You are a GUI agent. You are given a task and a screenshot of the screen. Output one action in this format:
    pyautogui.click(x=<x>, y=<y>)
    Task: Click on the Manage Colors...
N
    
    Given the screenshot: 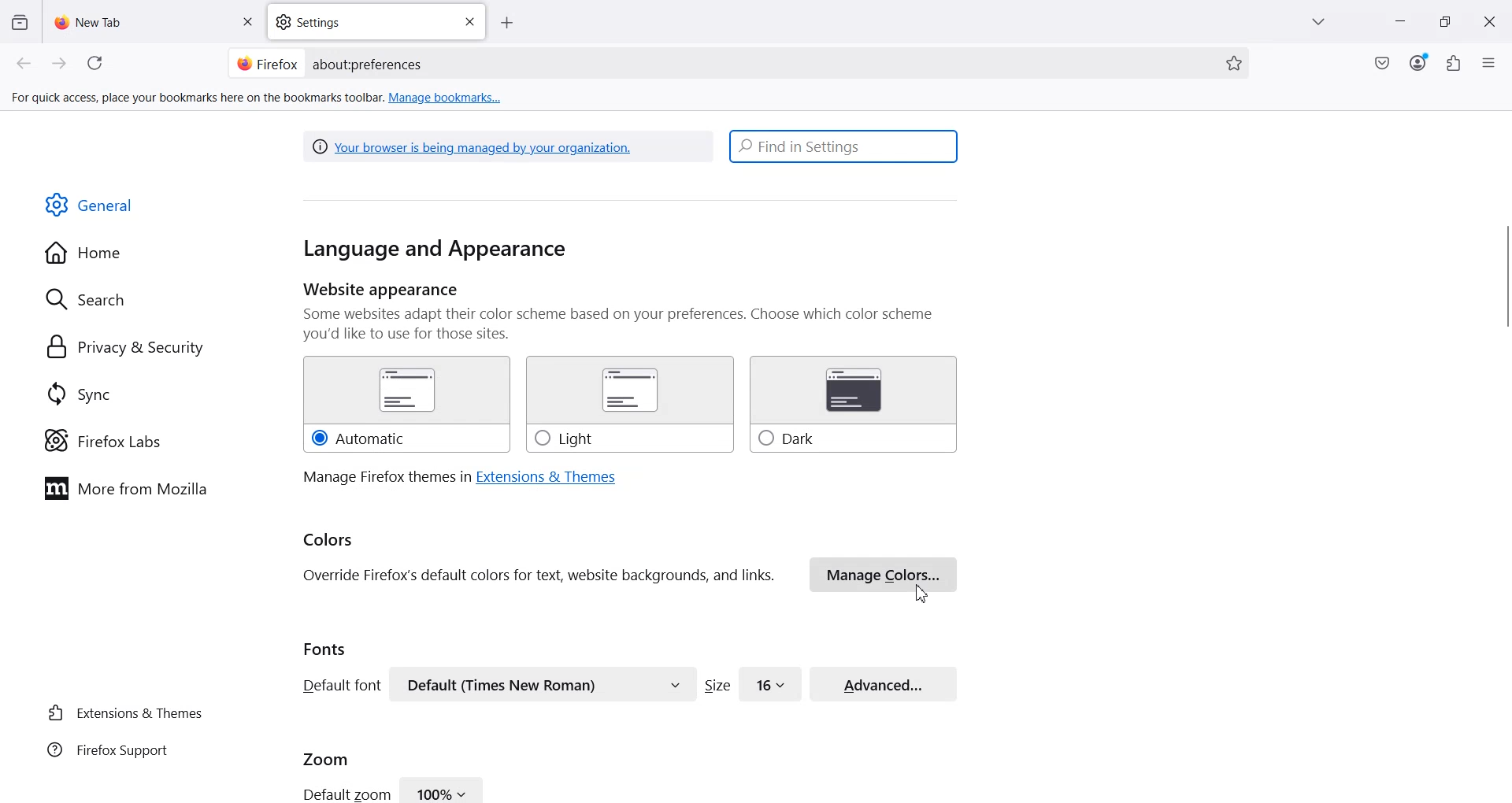 What is the action you would take?
    pyautogui.click(x=884, y=576)
    